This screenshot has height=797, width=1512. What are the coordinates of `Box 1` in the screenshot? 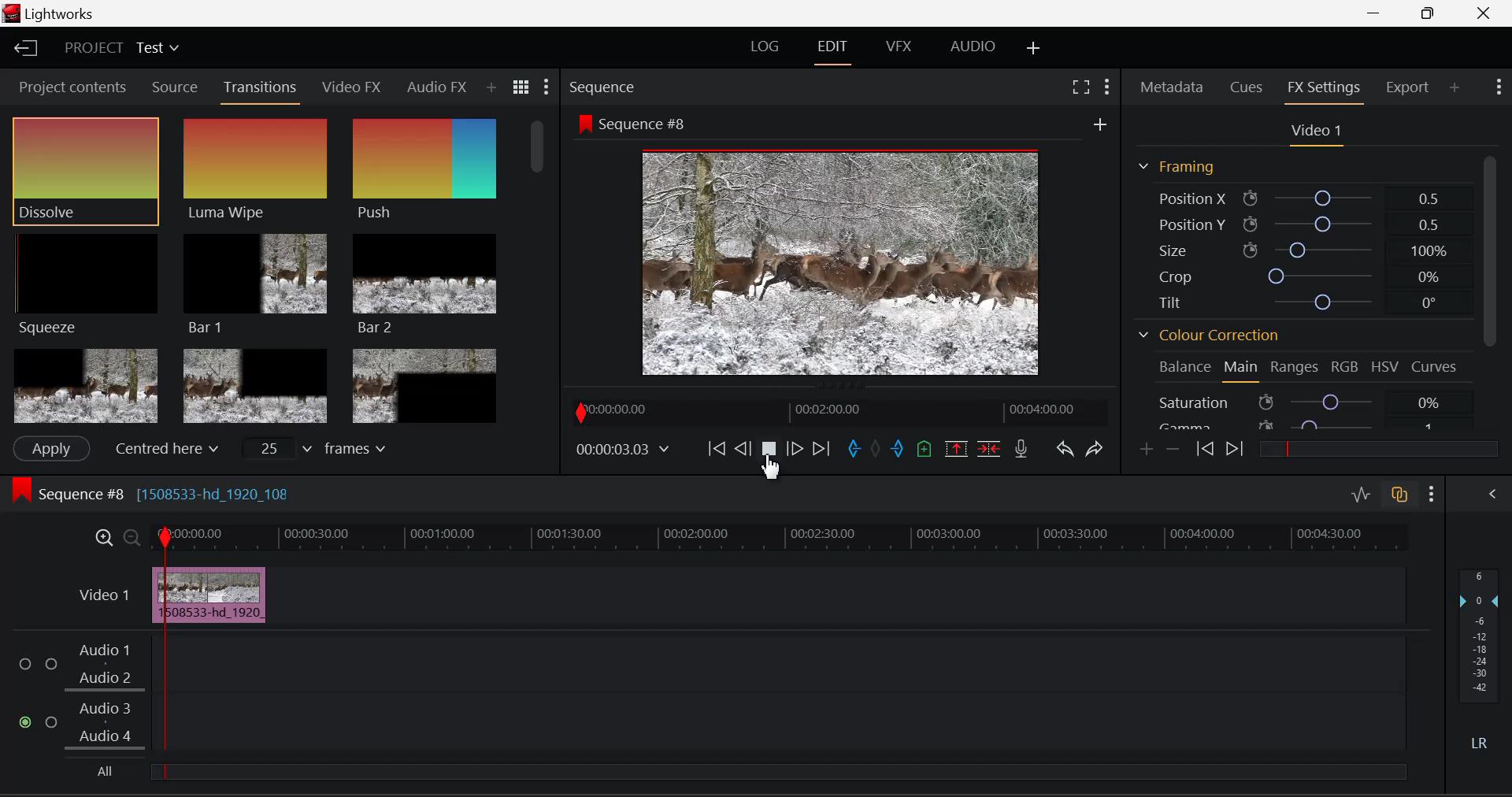 It's located at (84, 387).